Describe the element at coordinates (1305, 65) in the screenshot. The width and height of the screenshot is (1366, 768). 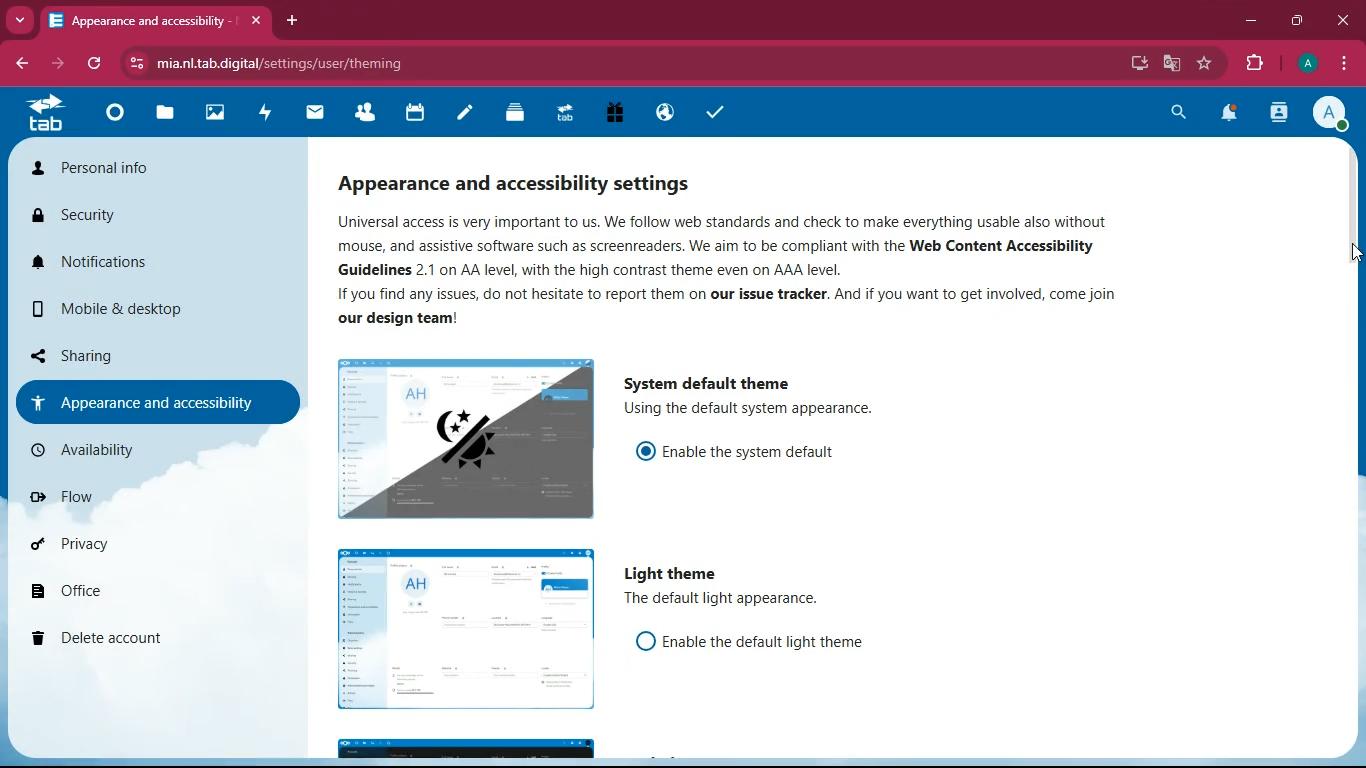
I see `profile` at that location.